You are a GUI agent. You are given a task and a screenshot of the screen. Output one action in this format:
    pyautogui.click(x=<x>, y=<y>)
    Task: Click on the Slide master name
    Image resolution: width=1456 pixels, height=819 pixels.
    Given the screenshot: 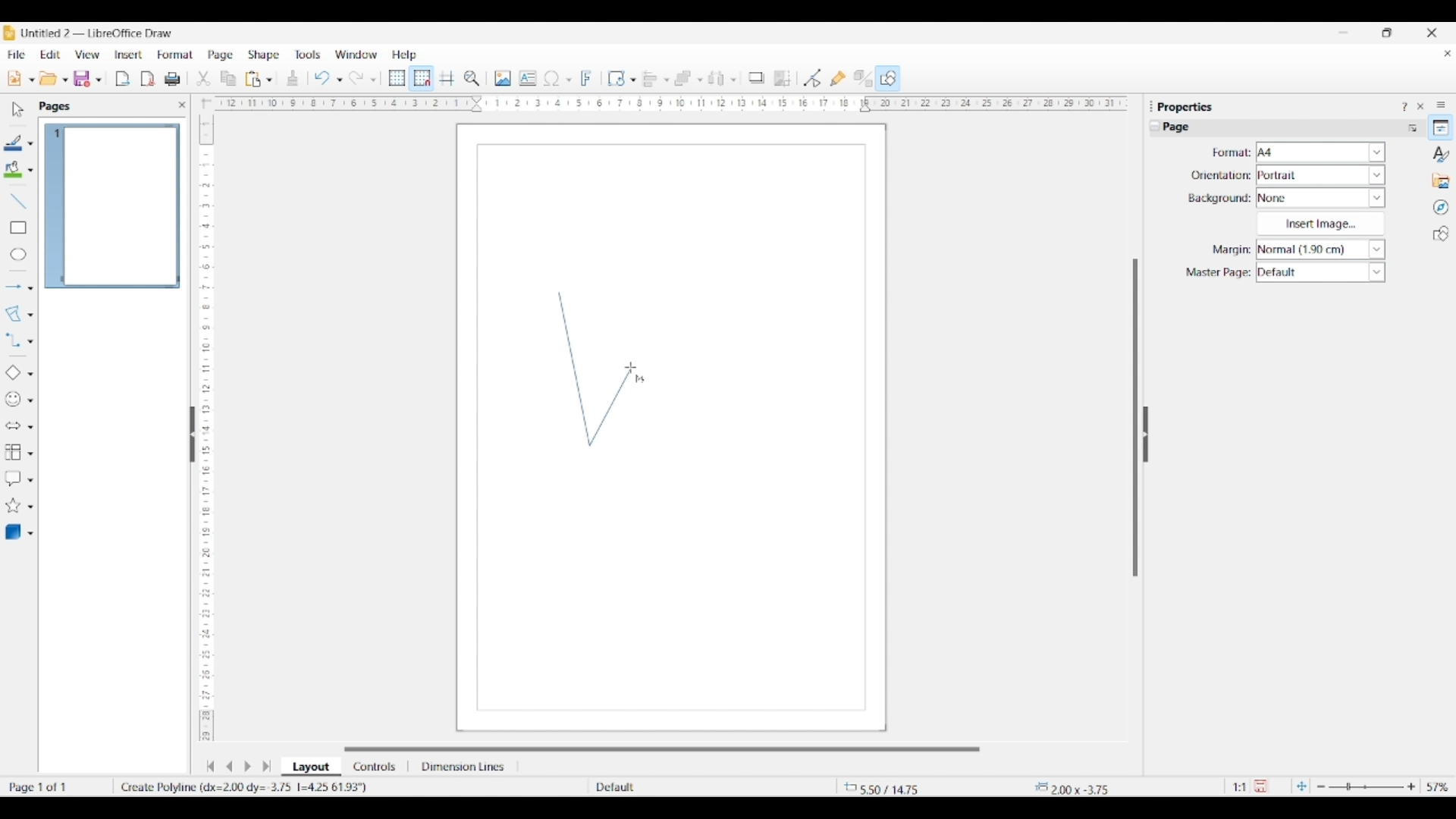 What is the action you would take?
    pyautogui.click(x=680, y=788)
    